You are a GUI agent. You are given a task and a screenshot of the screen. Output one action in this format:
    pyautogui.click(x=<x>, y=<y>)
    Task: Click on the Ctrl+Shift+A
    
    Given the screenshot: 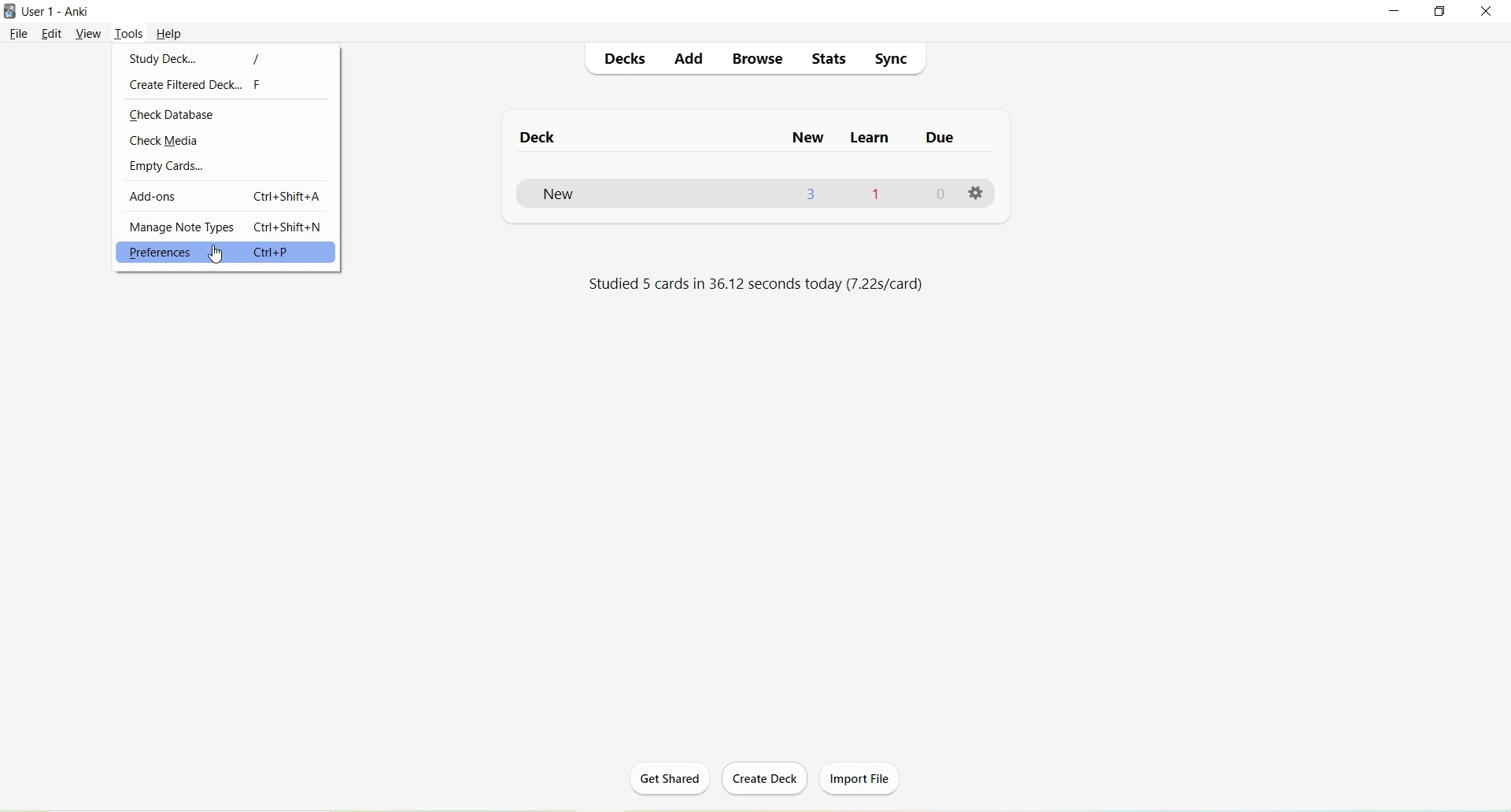 What is the action you would take?
    pyautogui.click(x=286, y=196)
    